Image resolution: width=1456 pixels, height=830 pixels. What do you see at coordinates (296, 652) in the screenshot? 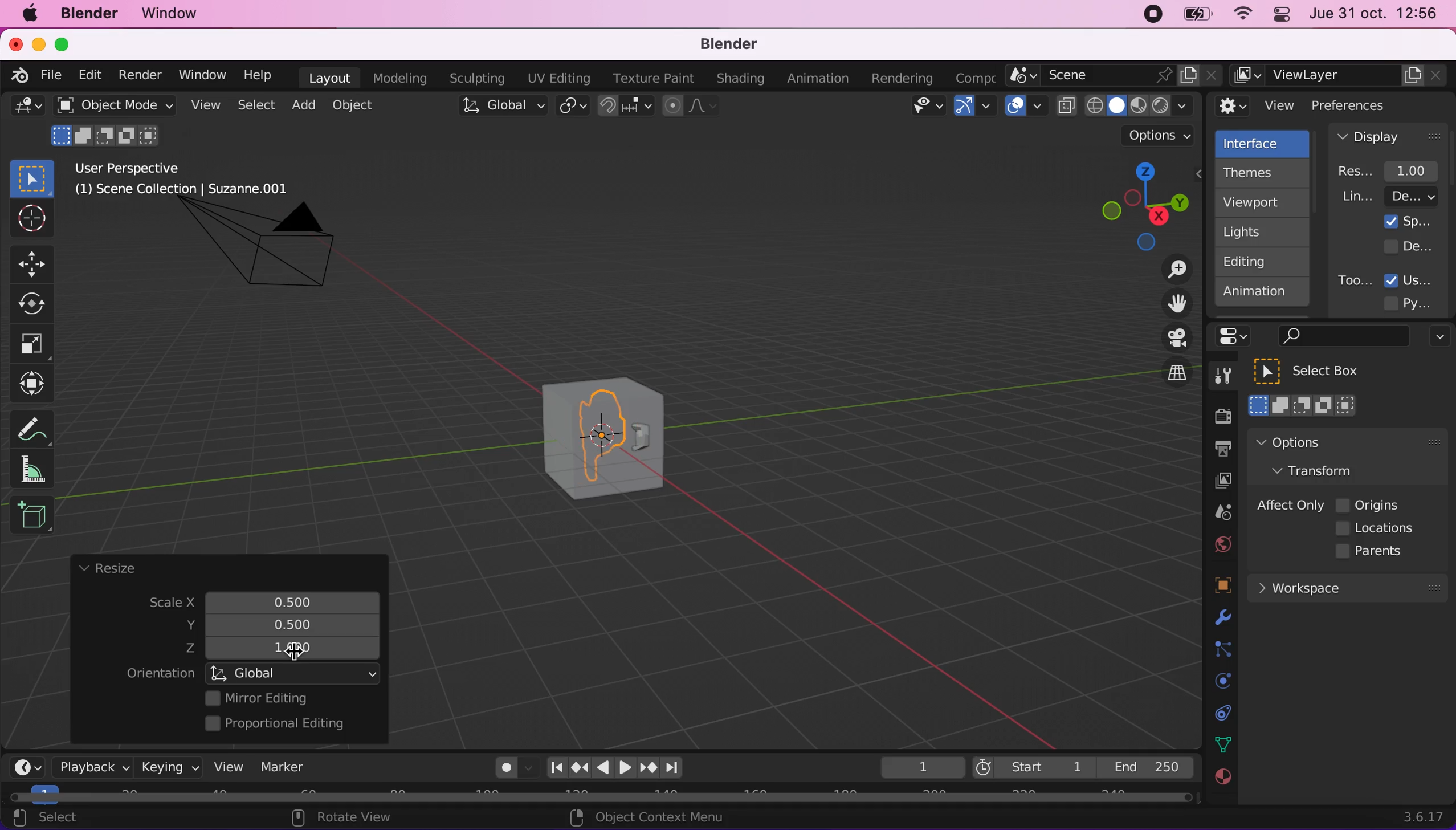
I see `cursor` at bounding box center [296, 652].